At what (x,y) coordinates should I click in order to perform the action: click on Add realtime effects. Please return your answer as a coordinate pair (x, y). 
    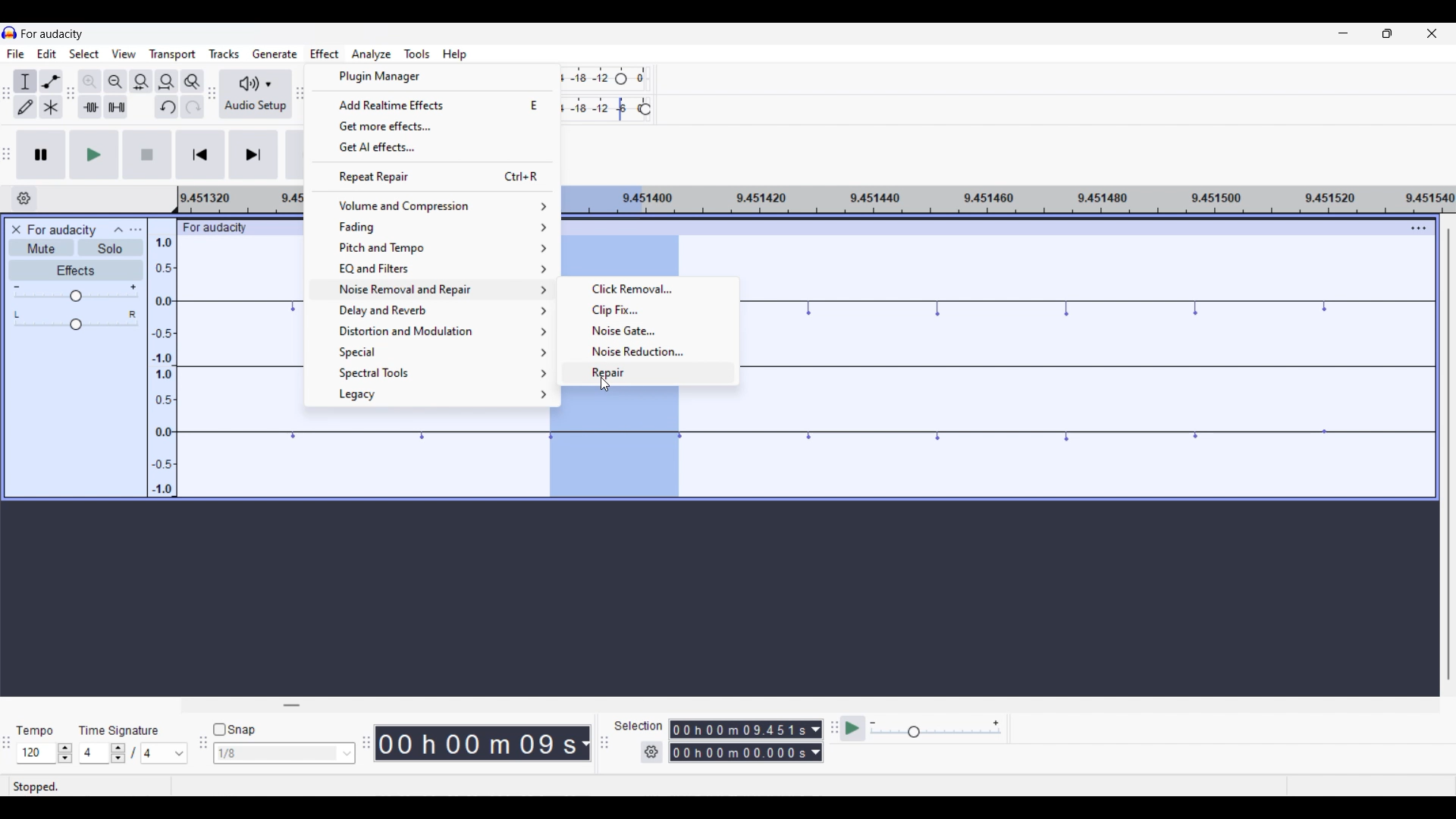
    Looking at the image, I should click on (434, 104).